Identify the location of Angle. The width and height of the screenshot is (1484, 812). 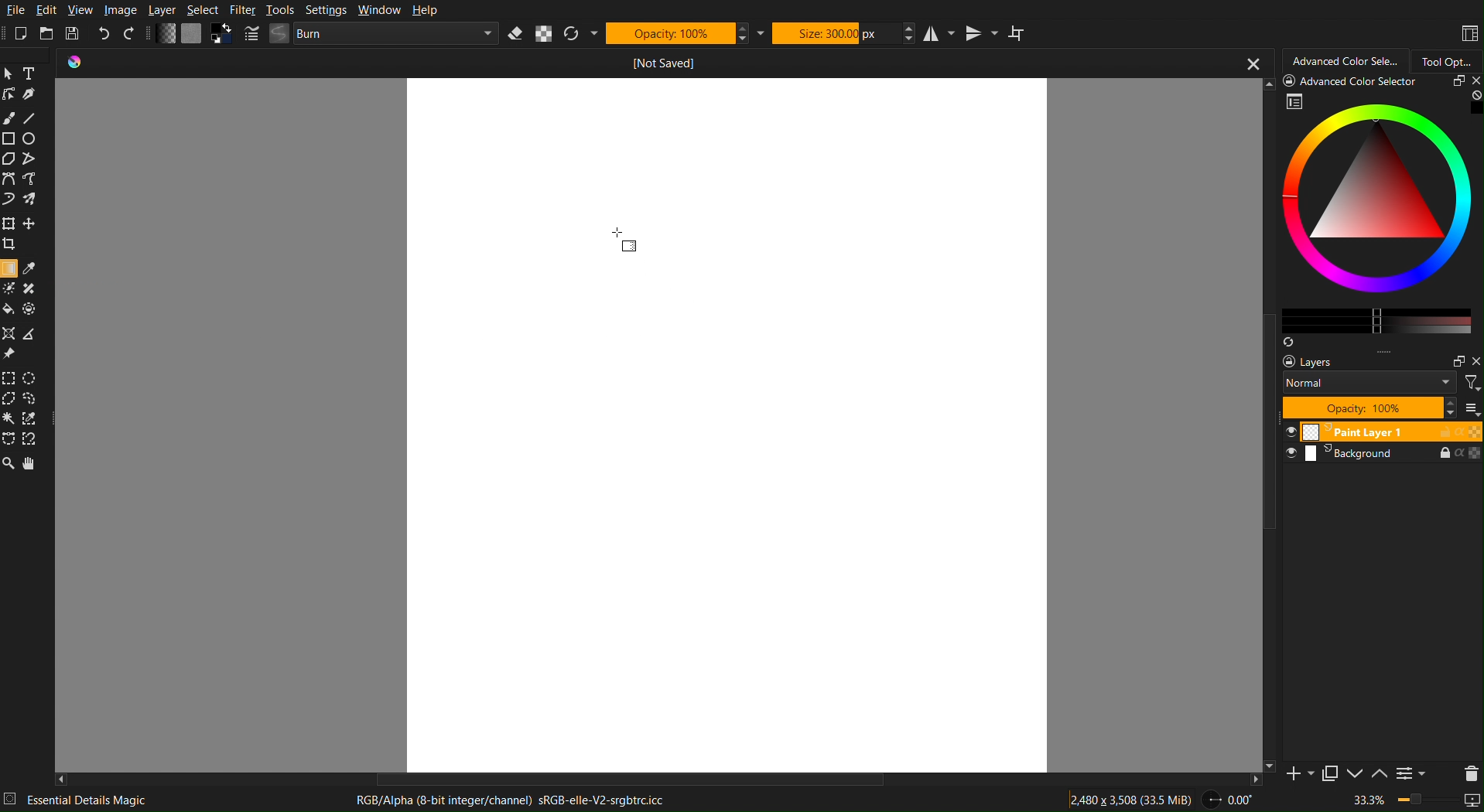
(1229, 800).